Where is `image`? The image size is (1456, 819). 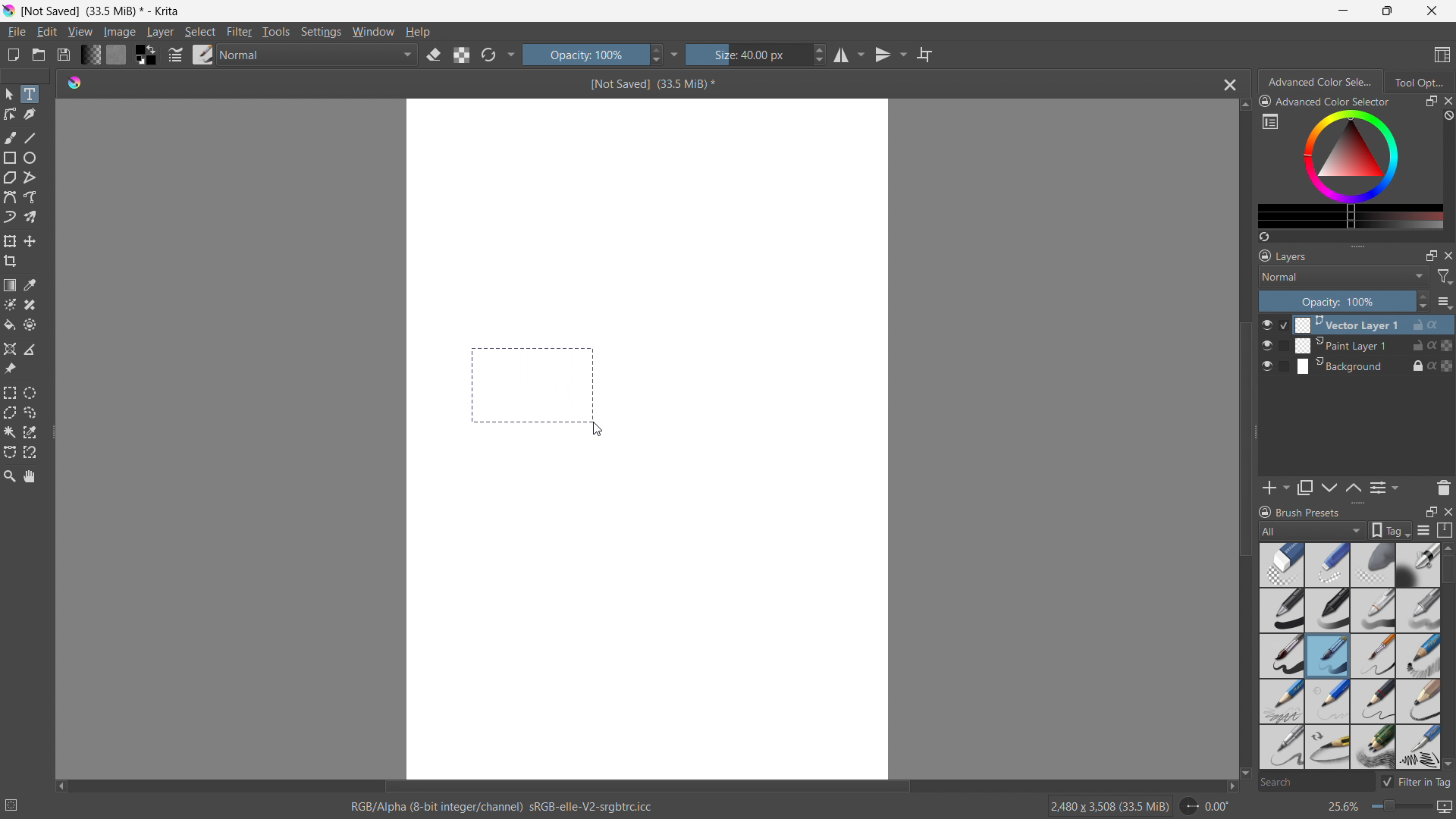 image is located at coordinates (121, 33).